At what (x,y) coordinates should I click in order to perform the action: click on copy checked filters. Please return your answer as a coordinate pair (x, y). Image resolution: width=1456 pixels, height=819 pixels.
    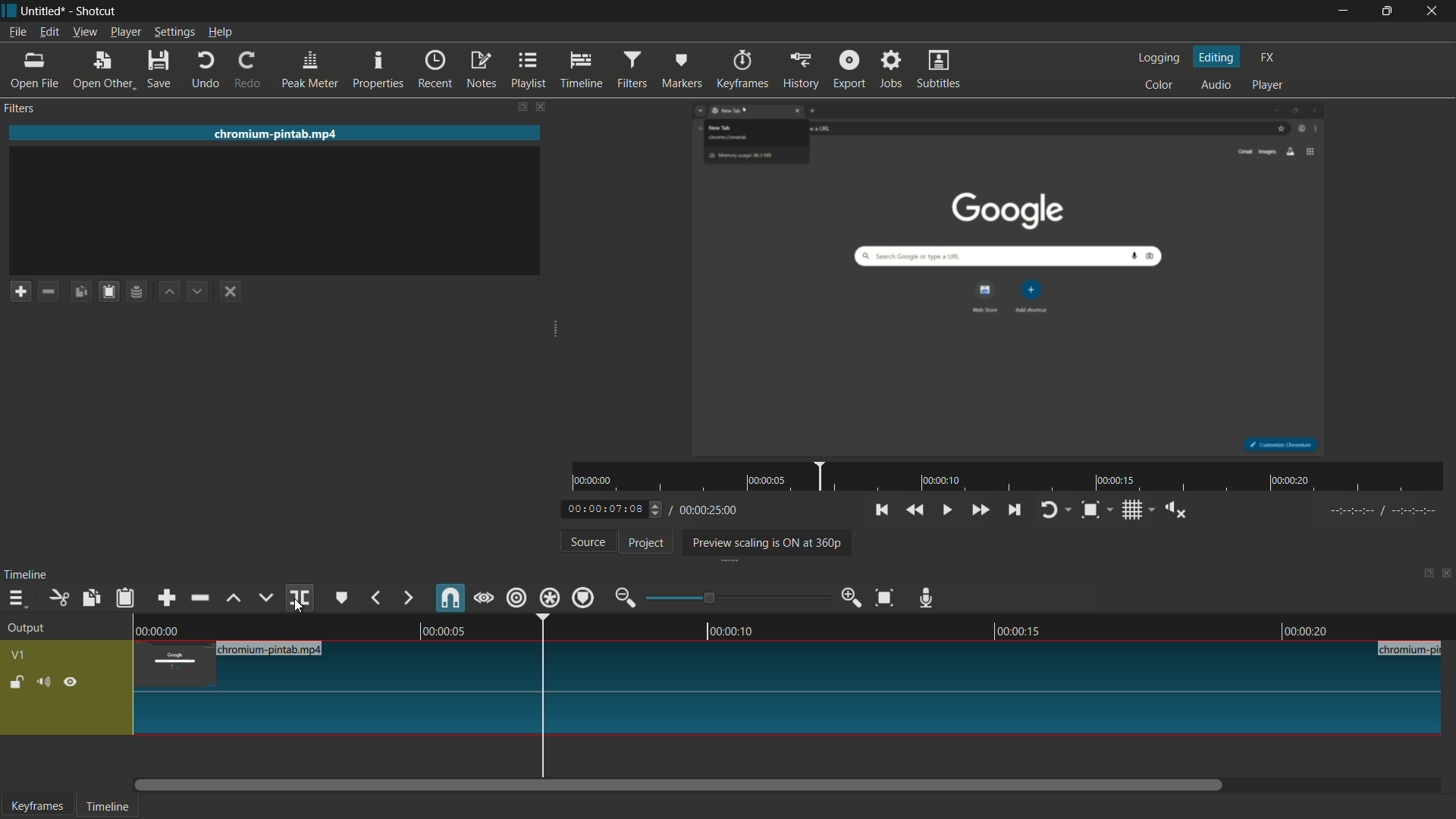
    Looking at the image, I should click on (81, 291).